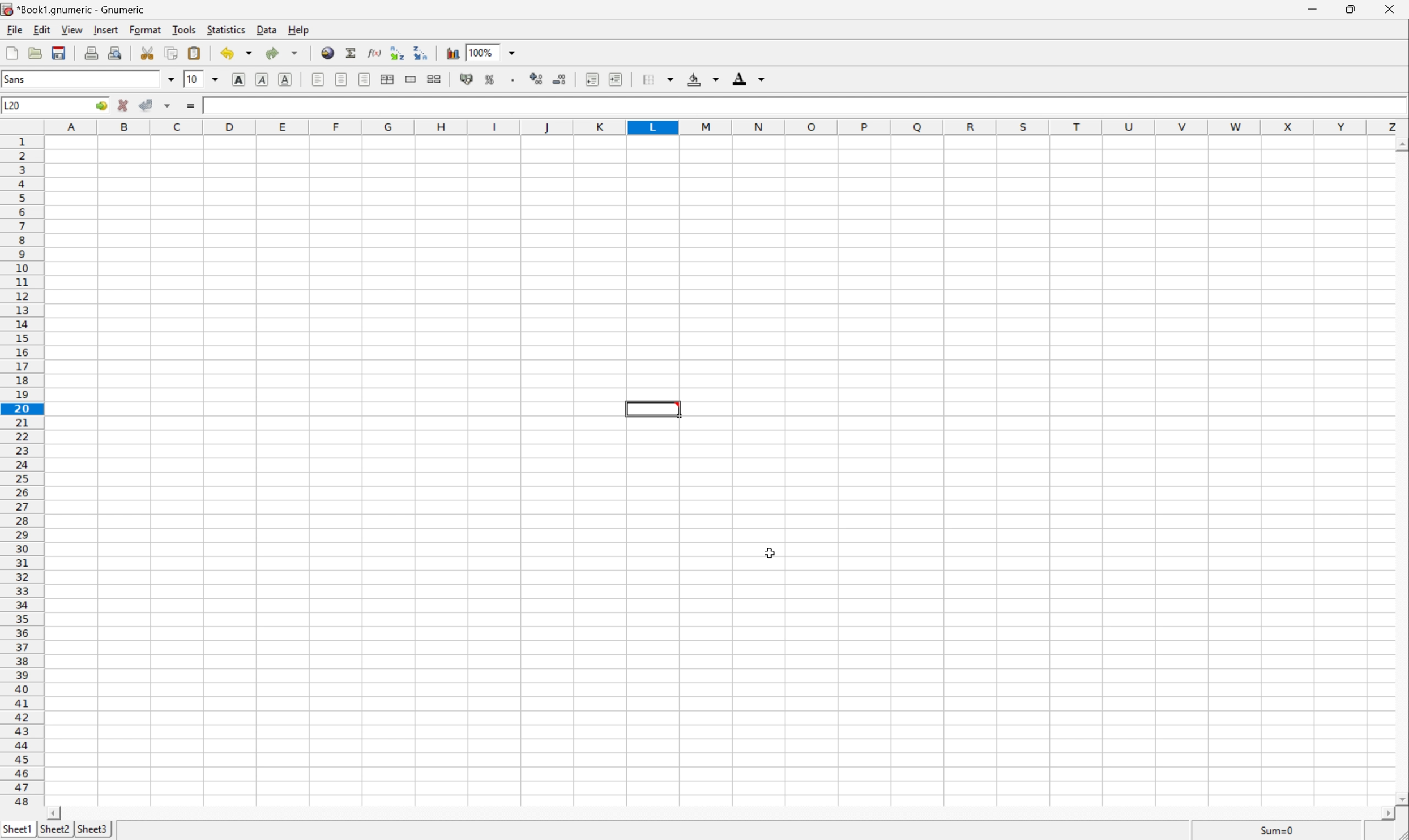 The image size is (1409, 840). What do you see at coordinates (659, 79) in the screenshot?
I see `Borders` at bounding box center [659, 79].